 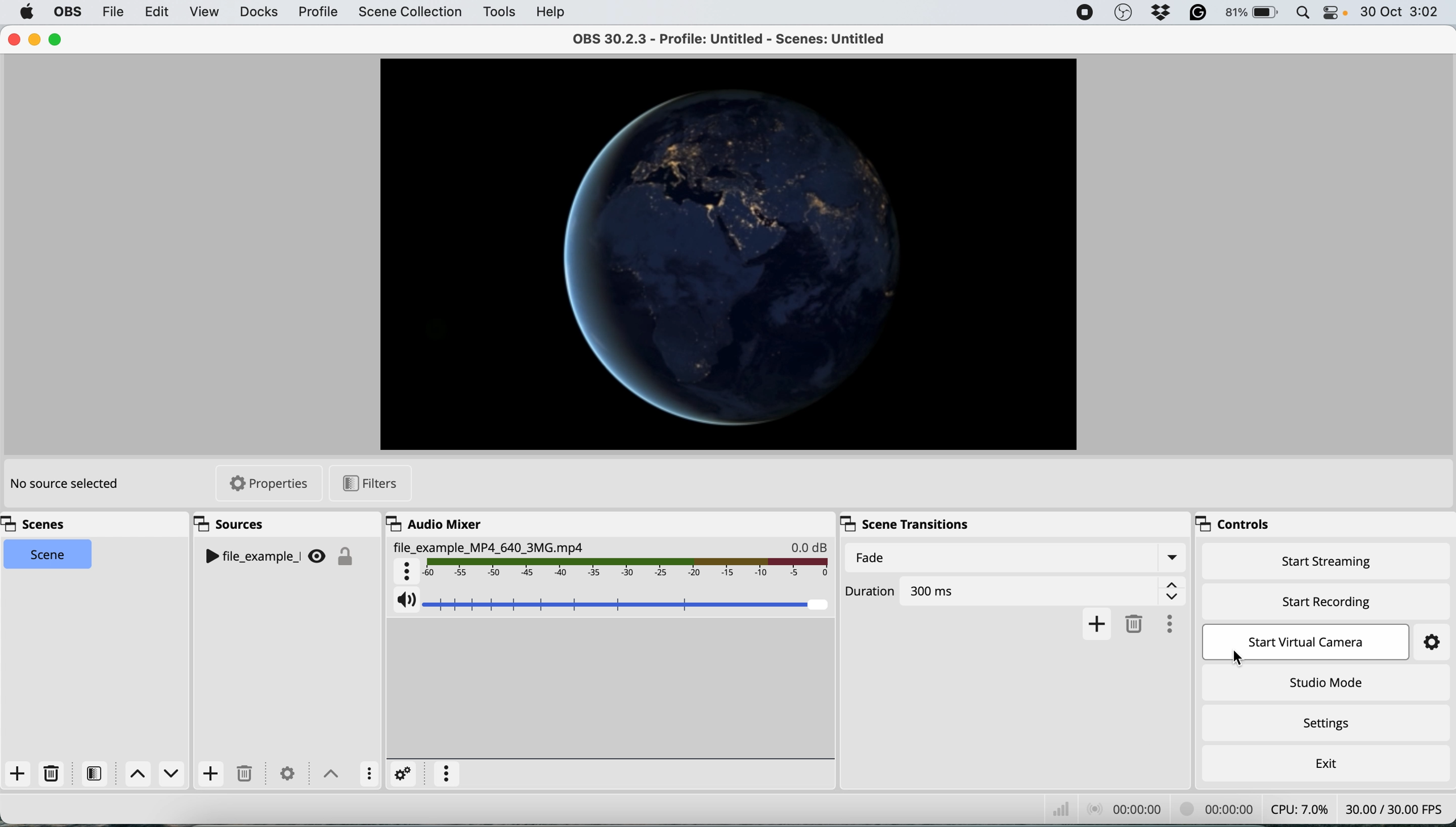 What do you see at coordinates (399, 776) in the screenshot?
I see `settings` at bounding box center [399, 776].